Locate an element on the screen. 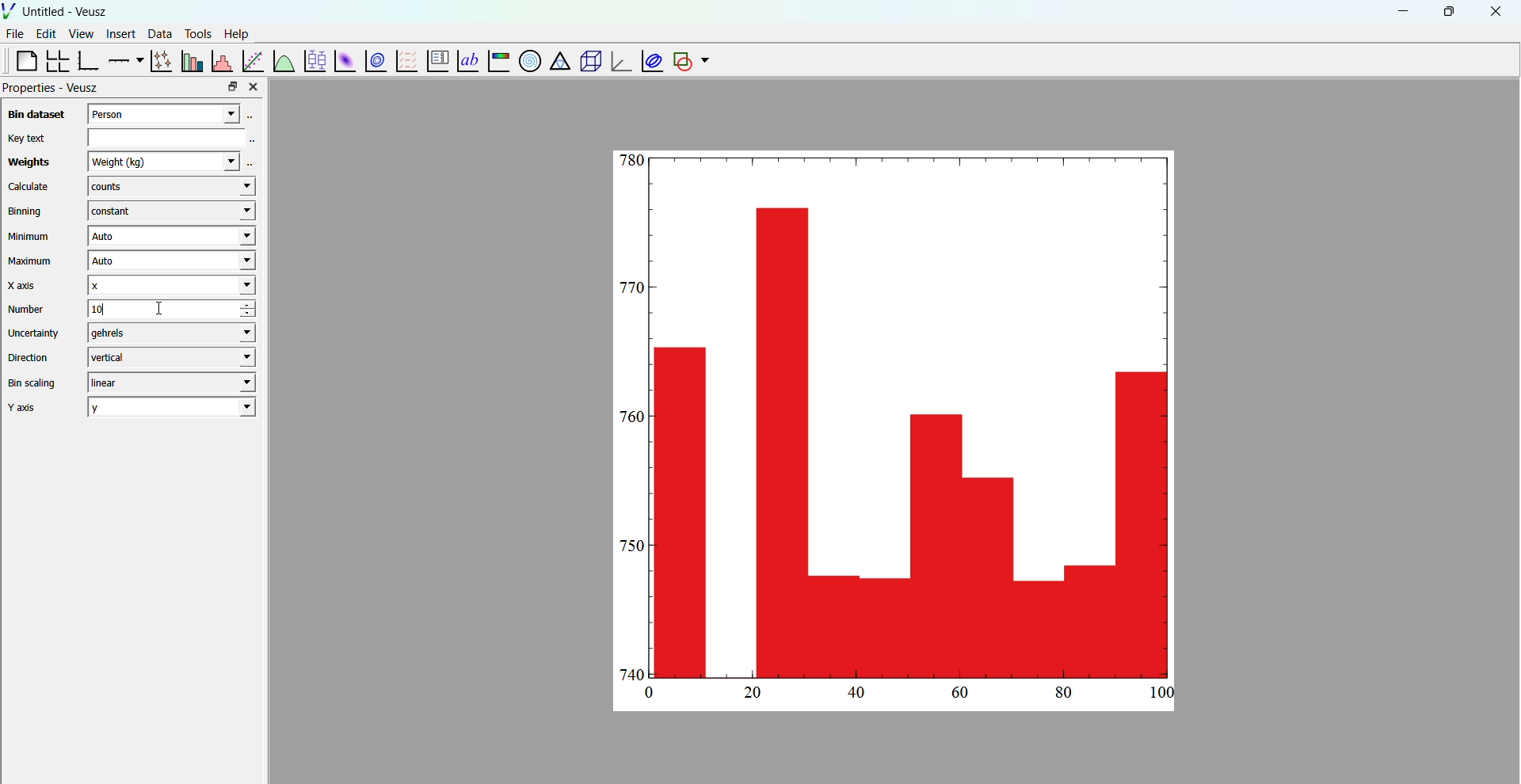 The image size is (1521, 784). close is located at coordinates (1496, 12).